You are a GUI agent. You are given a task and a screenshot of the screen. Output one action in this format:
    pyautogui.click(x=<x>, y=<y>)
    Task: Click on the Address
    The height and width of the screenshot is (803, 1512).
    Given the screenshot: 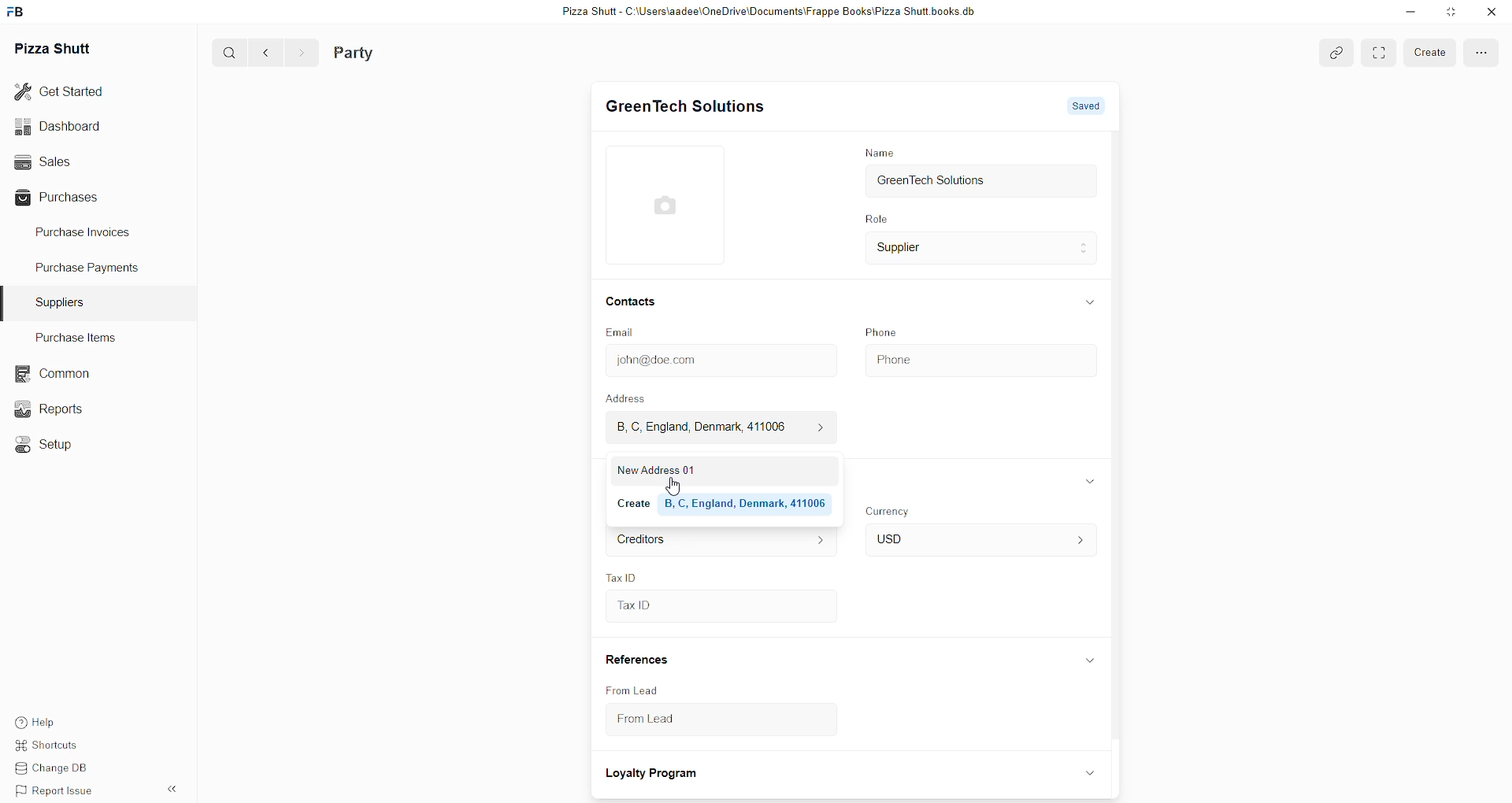 What is the action you would take?
    pyautogui.click(x=636, y=398)
    